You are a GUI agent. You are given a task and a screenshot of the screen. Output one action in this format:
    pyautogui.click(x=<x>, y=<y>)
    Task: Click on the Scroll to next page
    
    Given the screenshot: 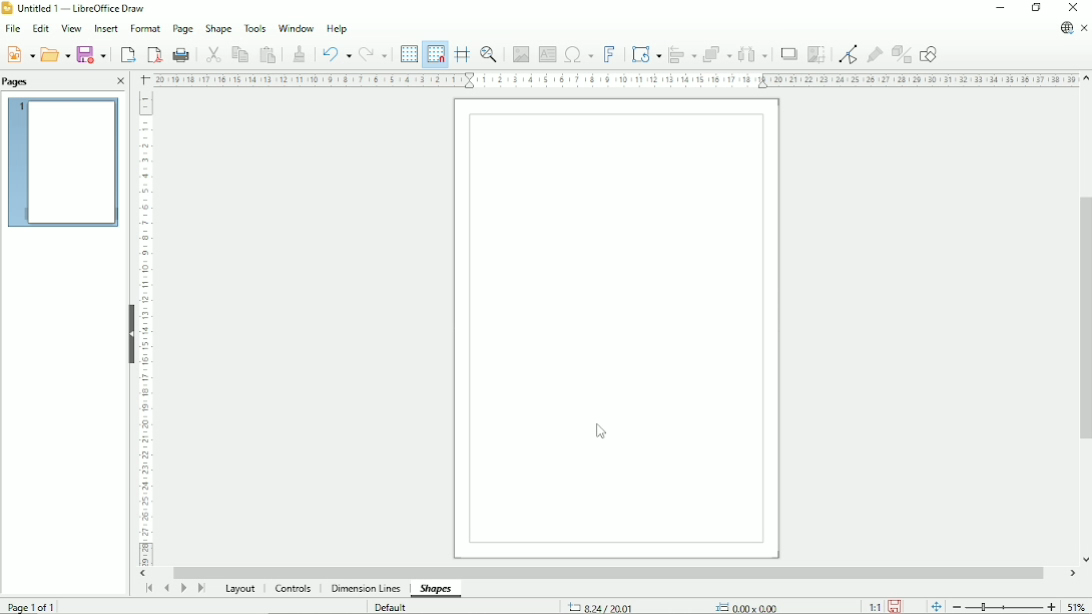 What is the action you would take?
    pyautogui.click(x=183, y=589)
    